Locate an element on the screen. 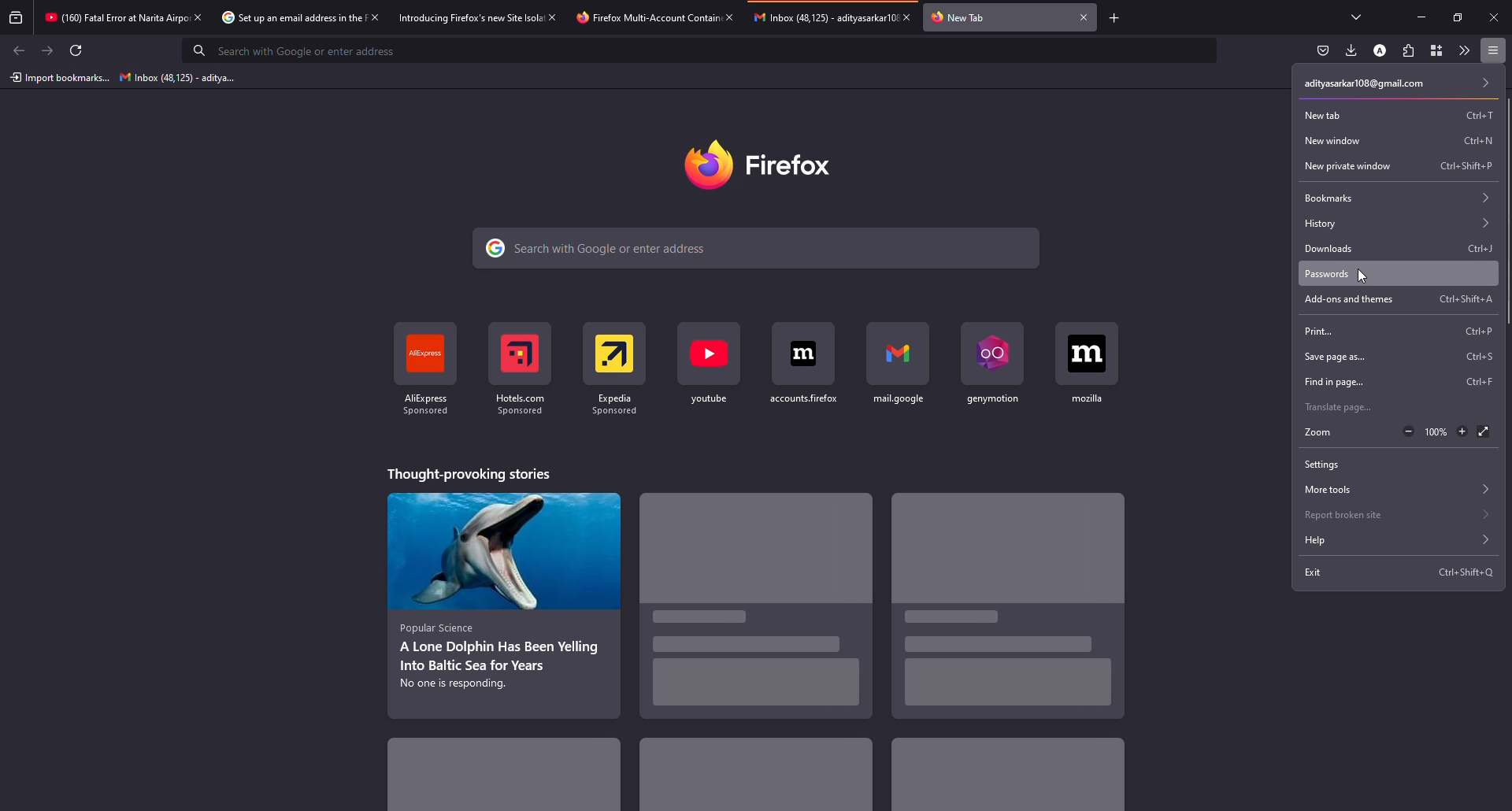 Image resolution: width=1512 pixels, height=811 pixels. view recent is located at coordinates (17, 18).